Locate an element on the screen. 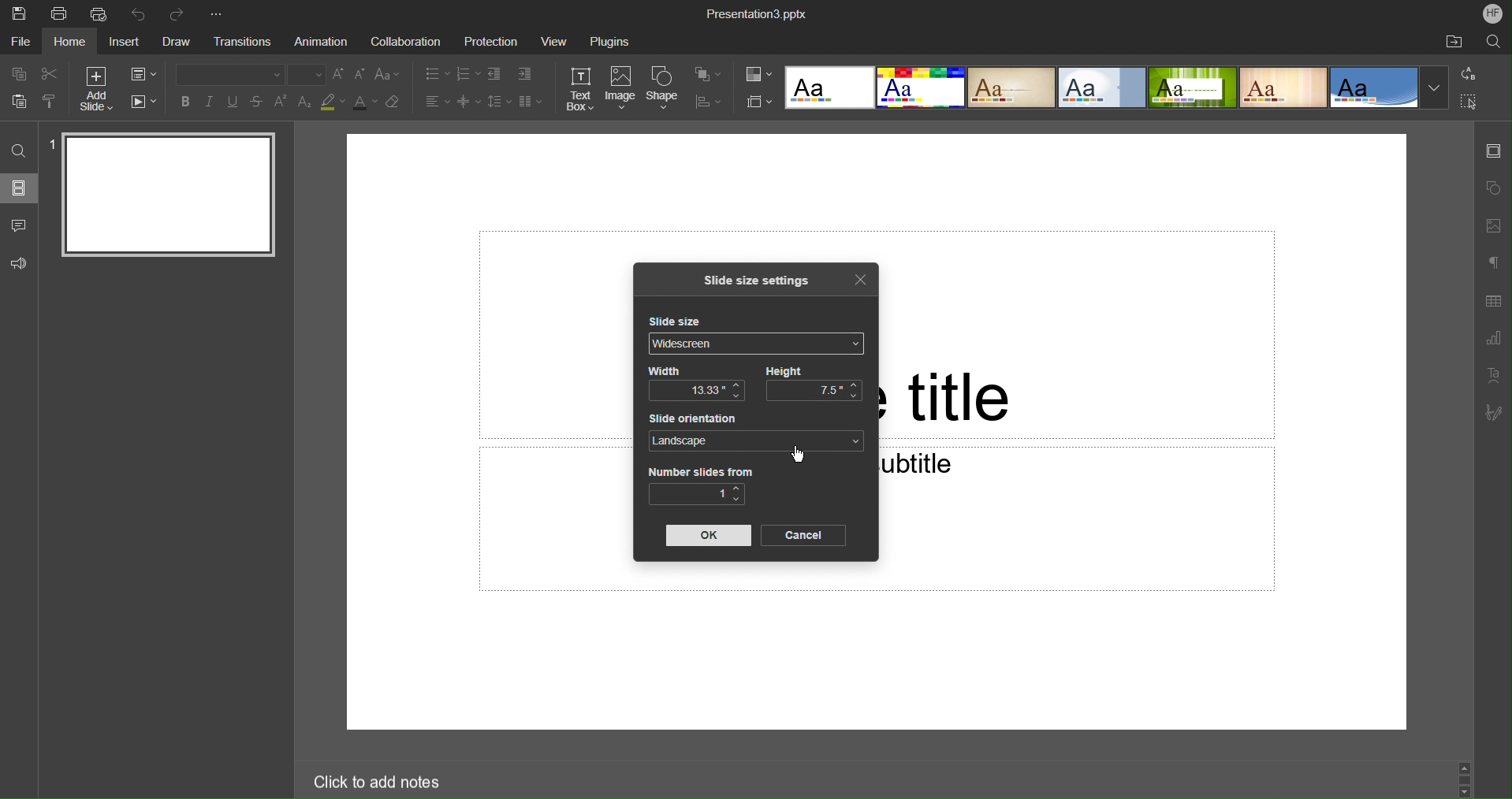 The image size is (1512, 799). Plugins is located at coordinates (609, 43).